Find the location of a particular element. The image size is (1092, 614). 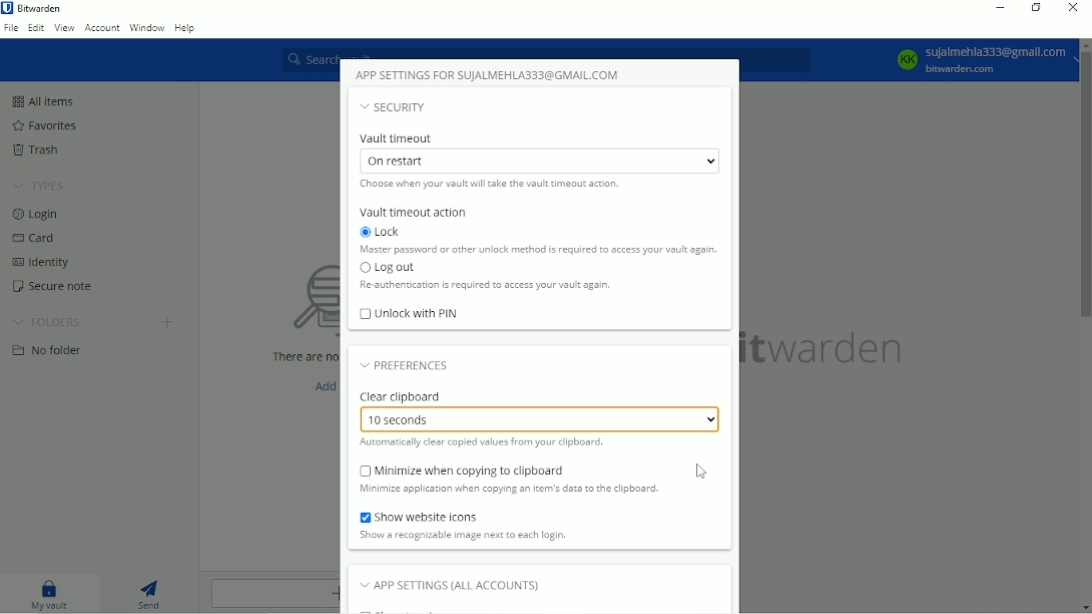

Window is located at coordinates (147, 27).